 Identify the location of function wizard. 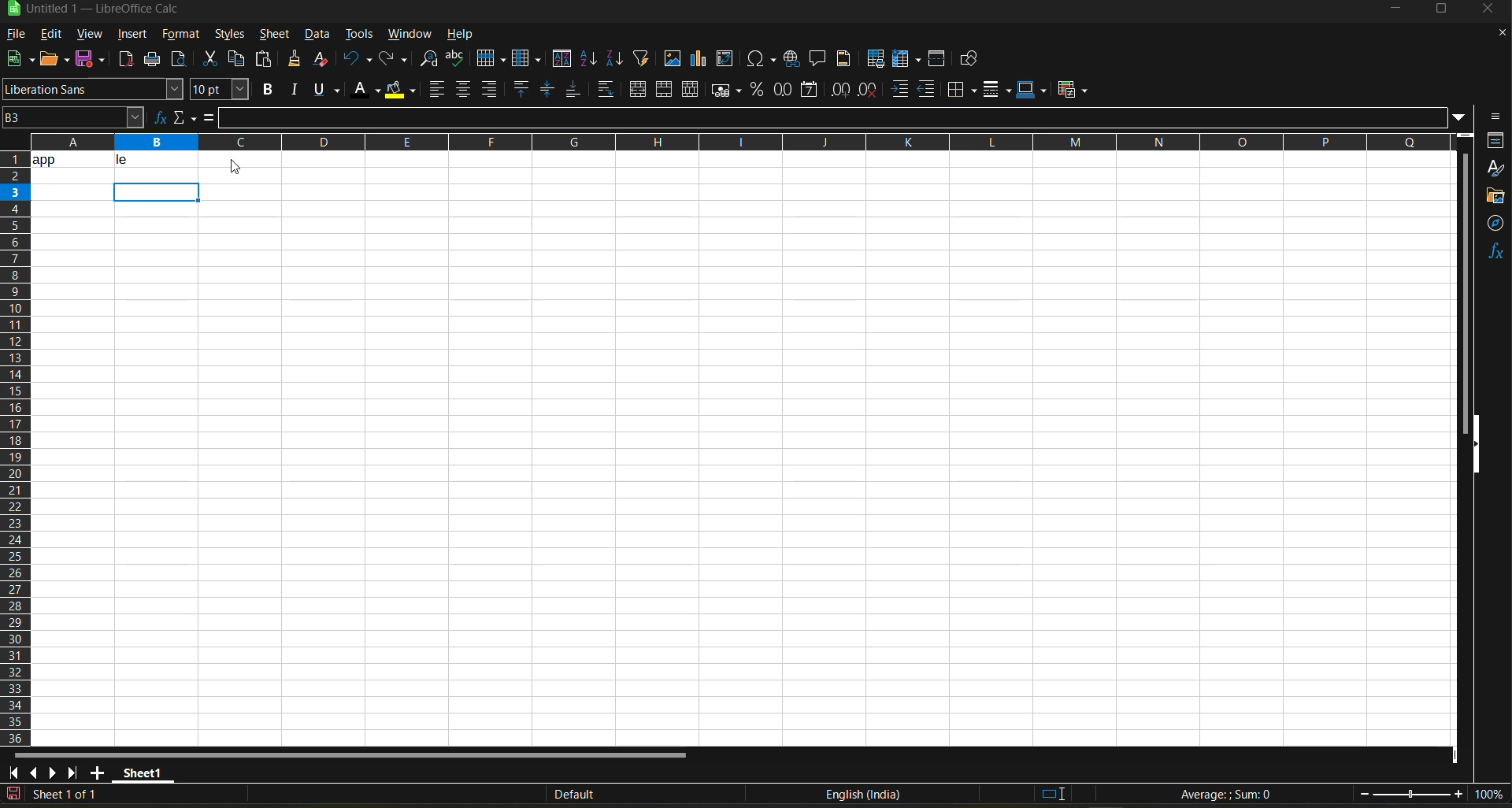
(155, 117).